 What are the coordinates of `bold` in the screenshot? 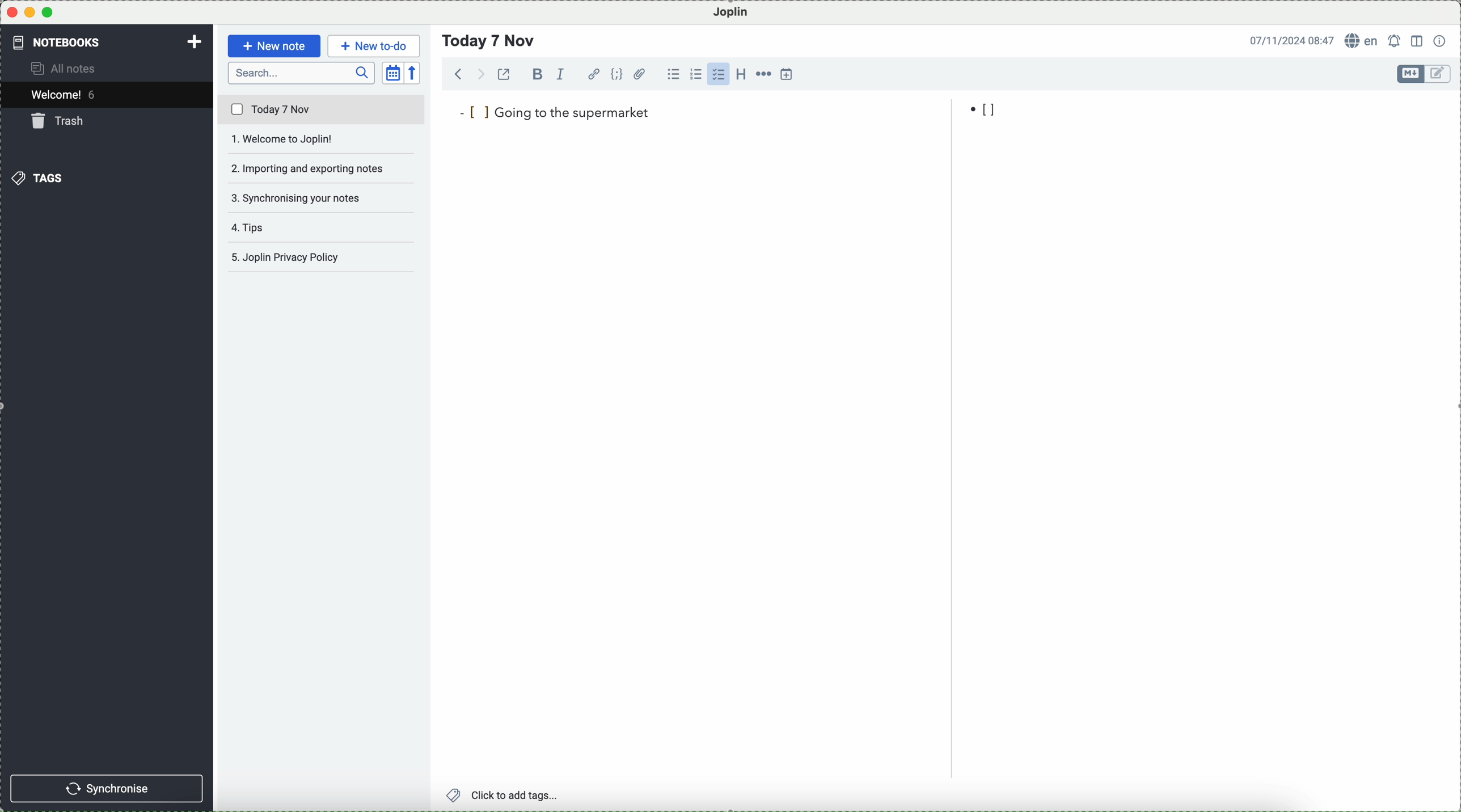 It's located at (535, 74).